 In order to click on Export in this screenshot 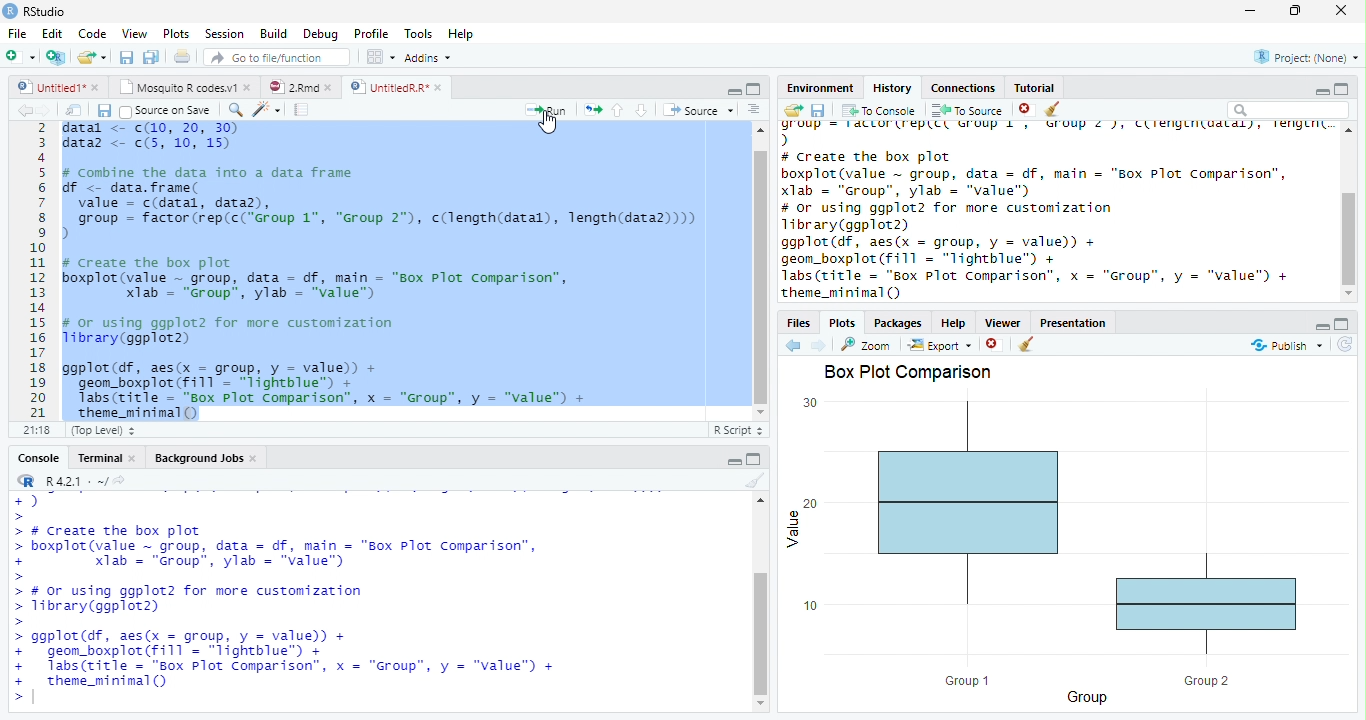, I will do `click(940, 345)`.